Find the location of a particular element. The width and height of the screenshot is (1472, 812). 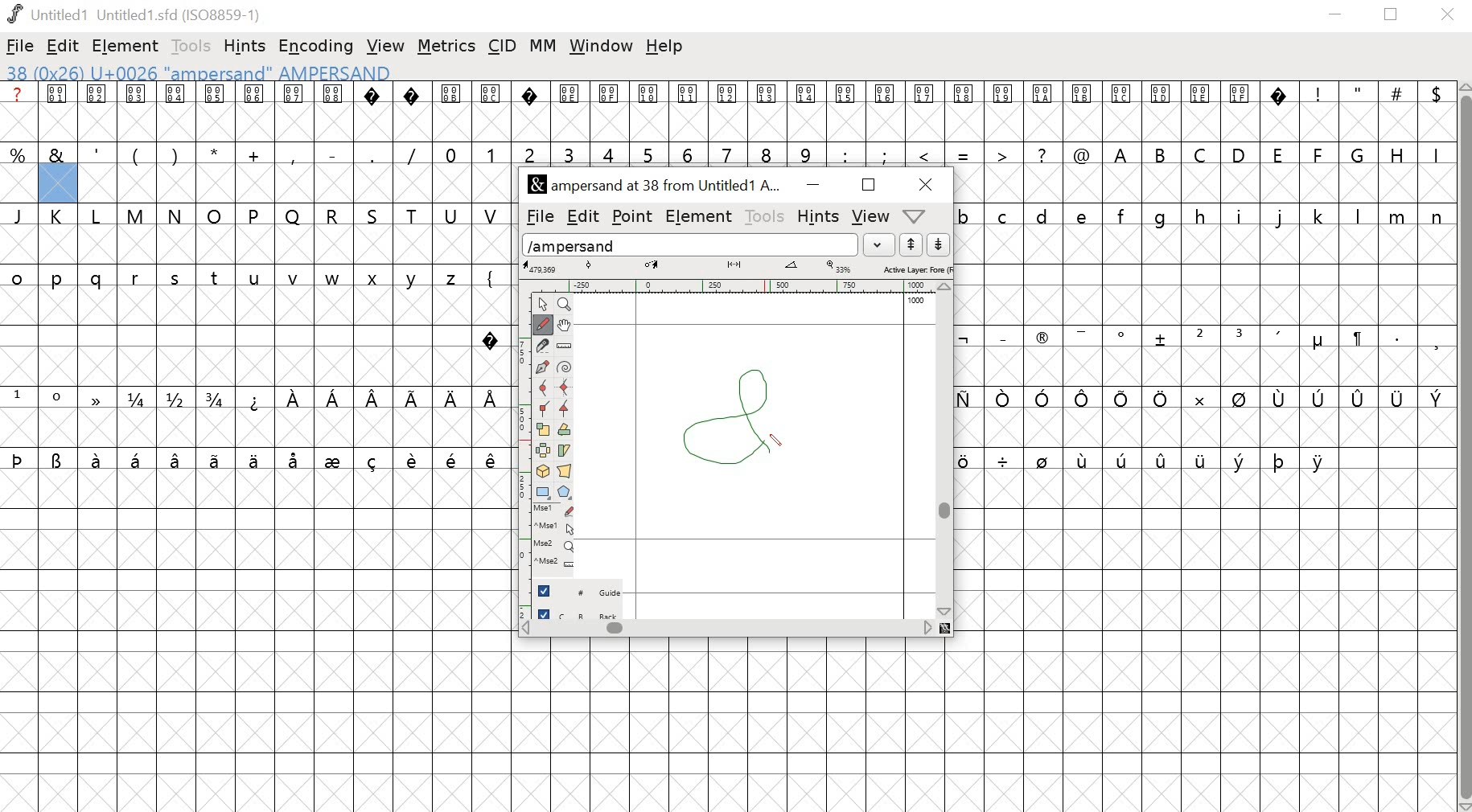

3/4 is located at coordinates (218, 399).